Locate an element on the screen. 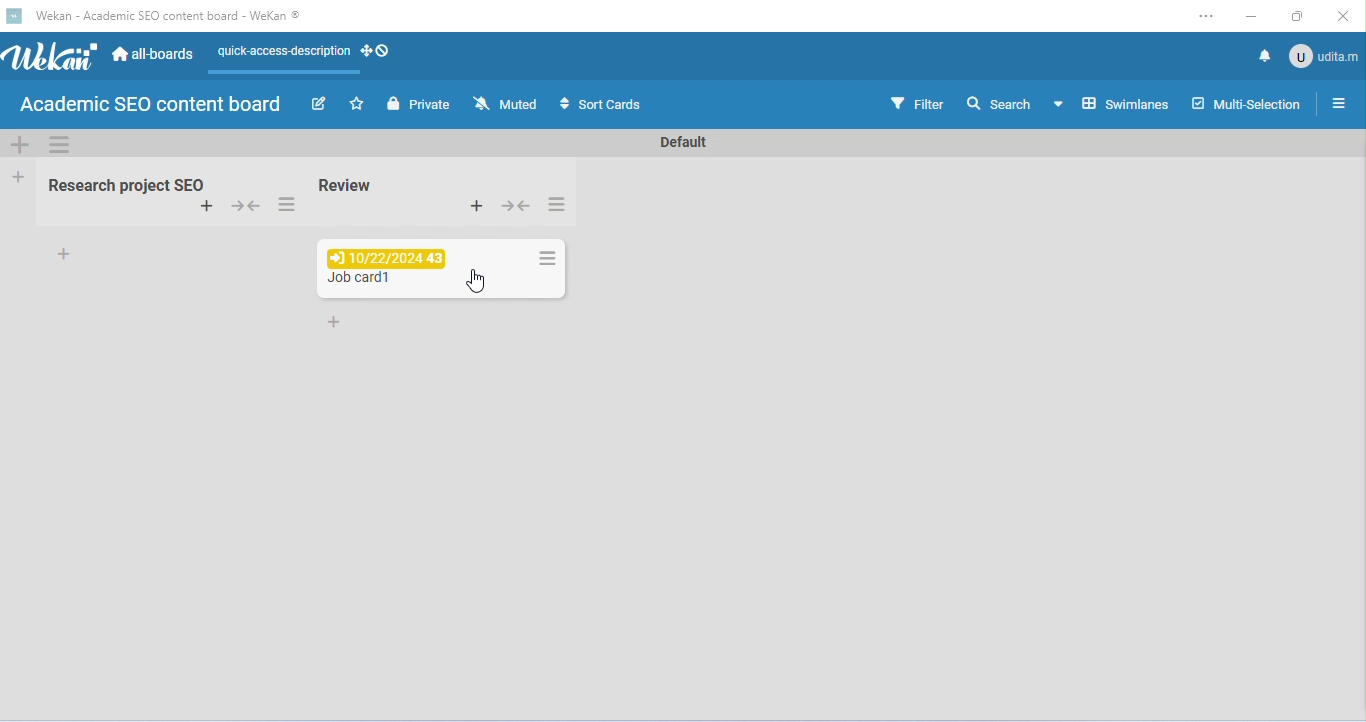 Image resolution: width=1366 pixels, height=722 pixels. swimelane actions is located at coordinates (61, 144).